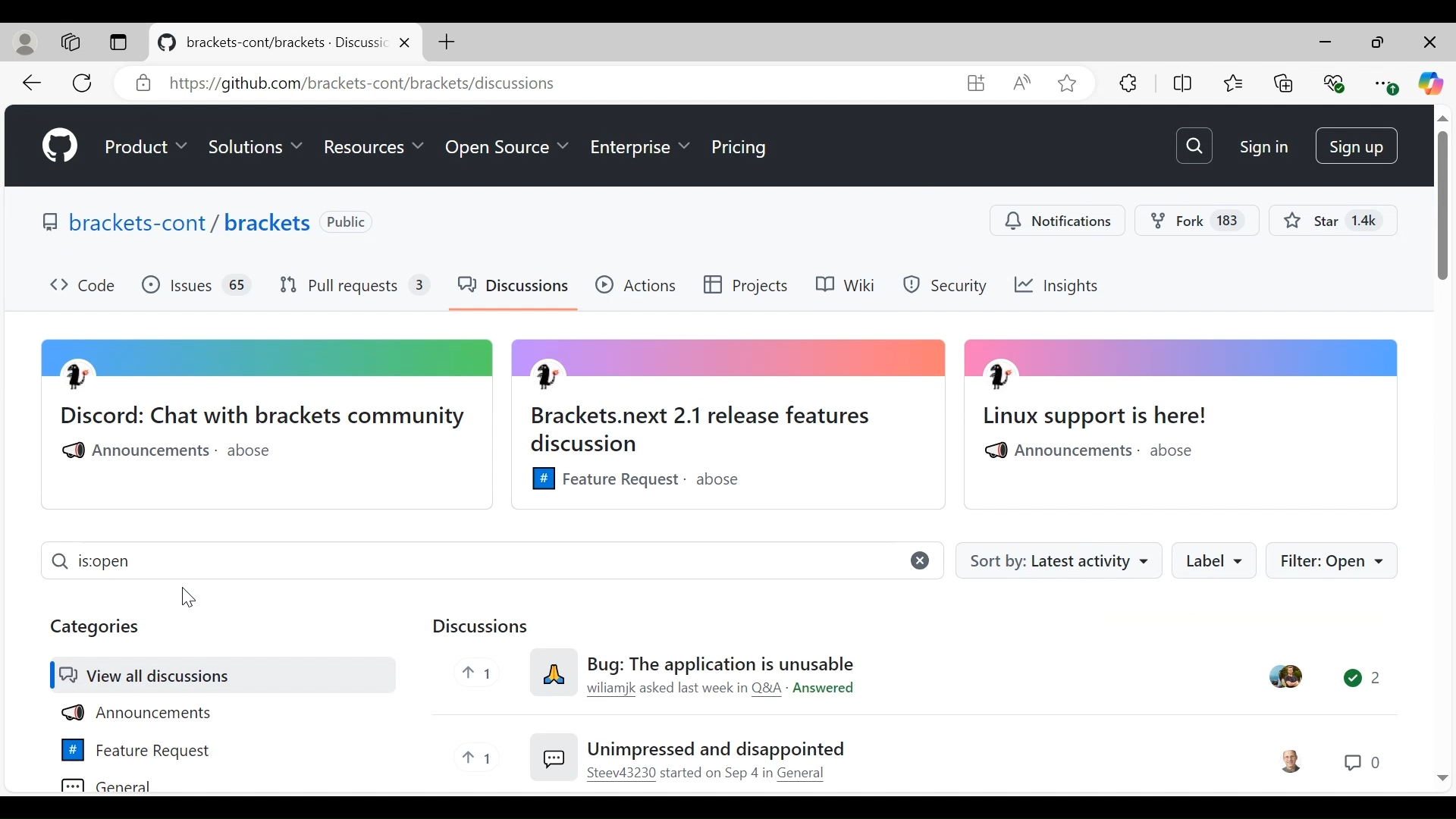  What do you see at coordinates (975, 83) in the screenshot?
I see `Widget` at bounding box center [975, 83].